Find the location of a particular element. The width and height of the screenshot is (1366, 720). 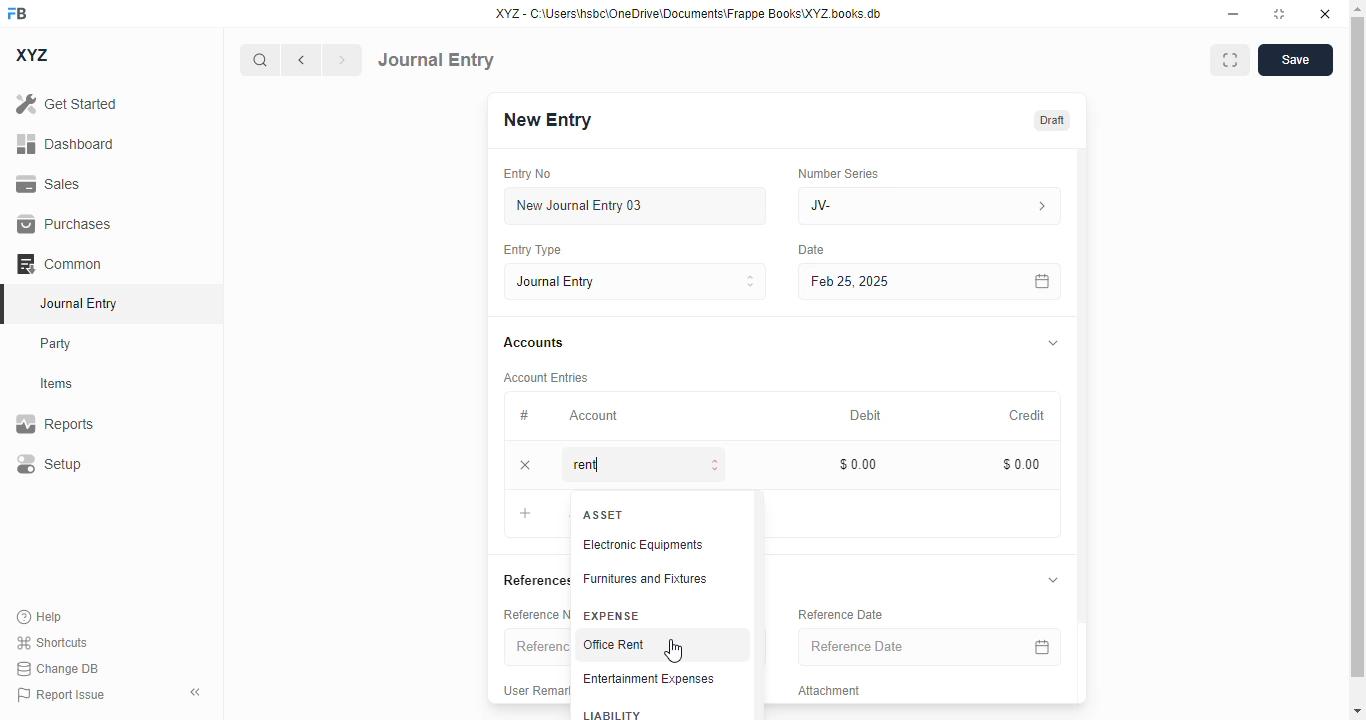

draft is located at coordinates (1053, 120).